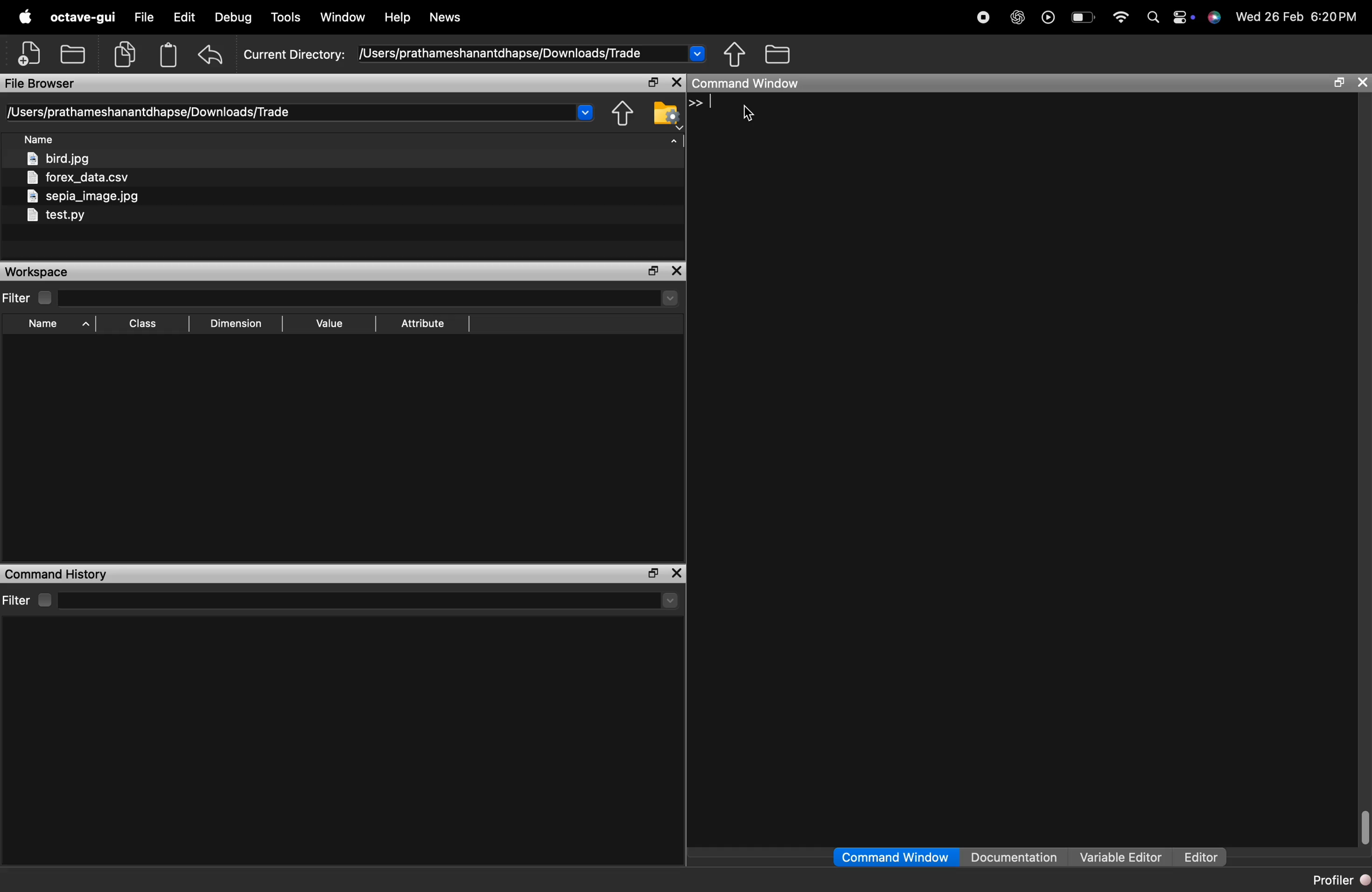  What do you see at coordinates (145, 324) in the screenshot?
I see `Class` at bounding box center [145, 324].